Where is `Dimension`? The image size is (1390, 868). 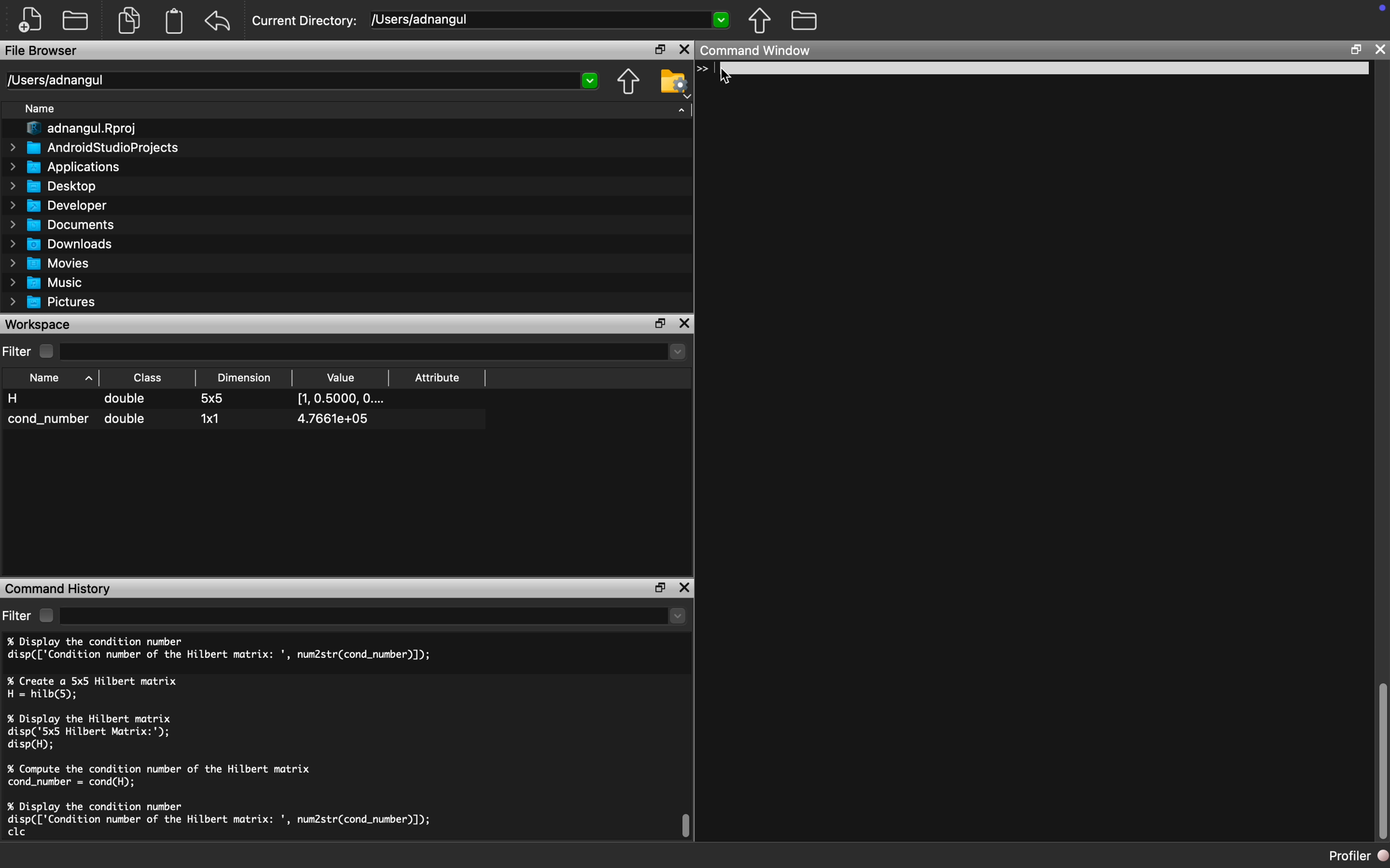
Dimension is located at coordinates (248, 378).